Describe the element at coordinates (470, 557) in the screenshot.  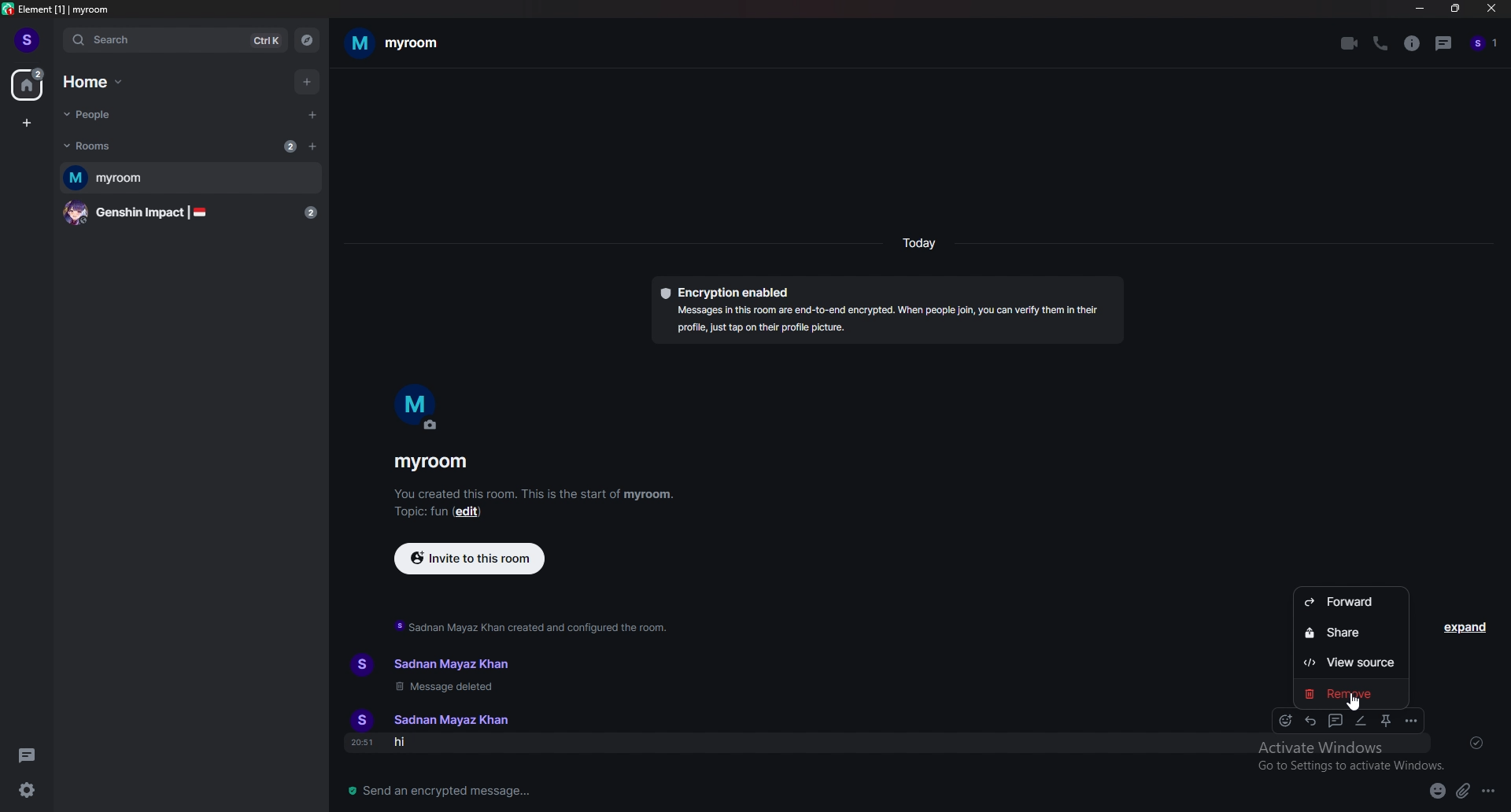
I see `invite to this room` at that location.